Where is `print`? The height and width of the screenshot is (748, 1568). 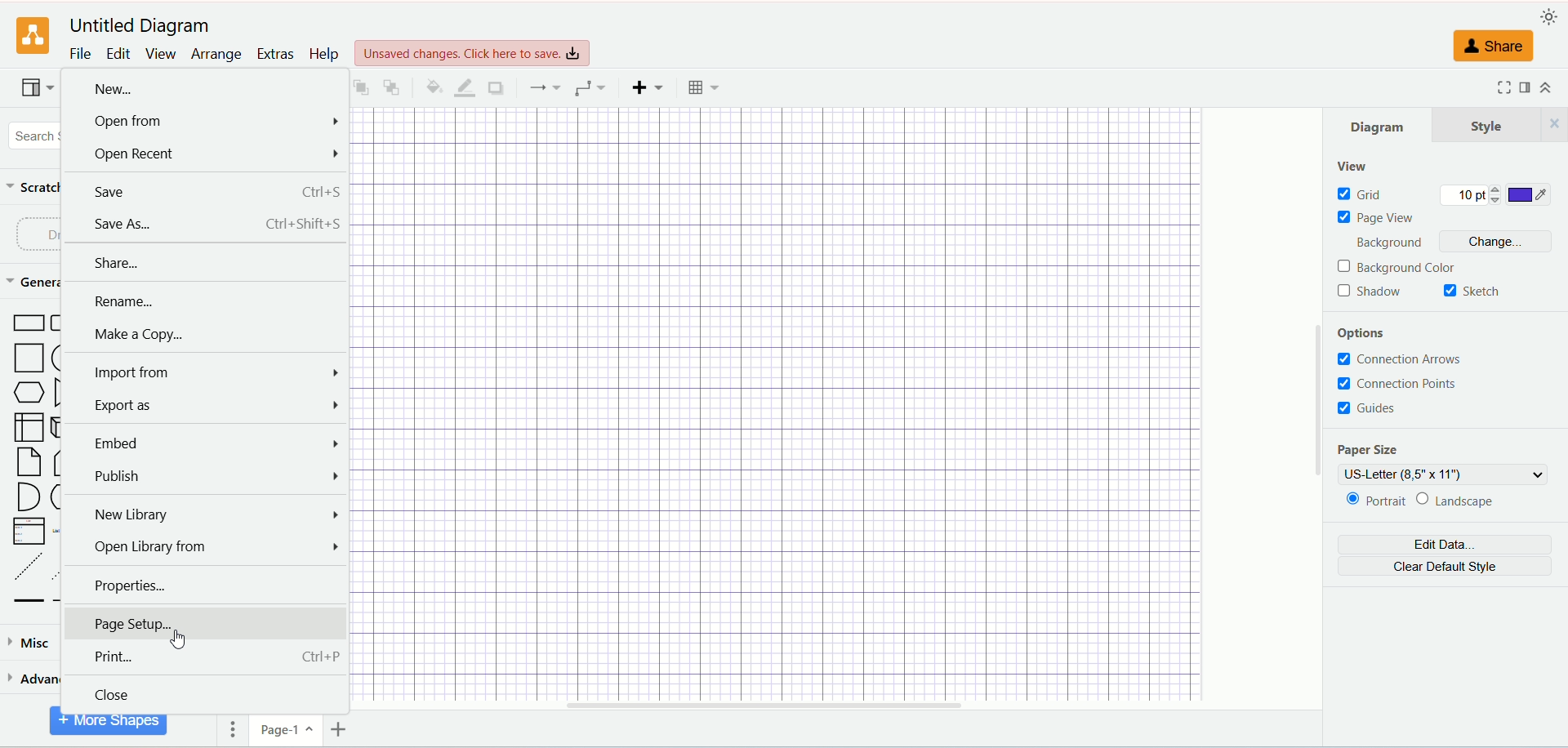 print is located at coordinates (204, 658).